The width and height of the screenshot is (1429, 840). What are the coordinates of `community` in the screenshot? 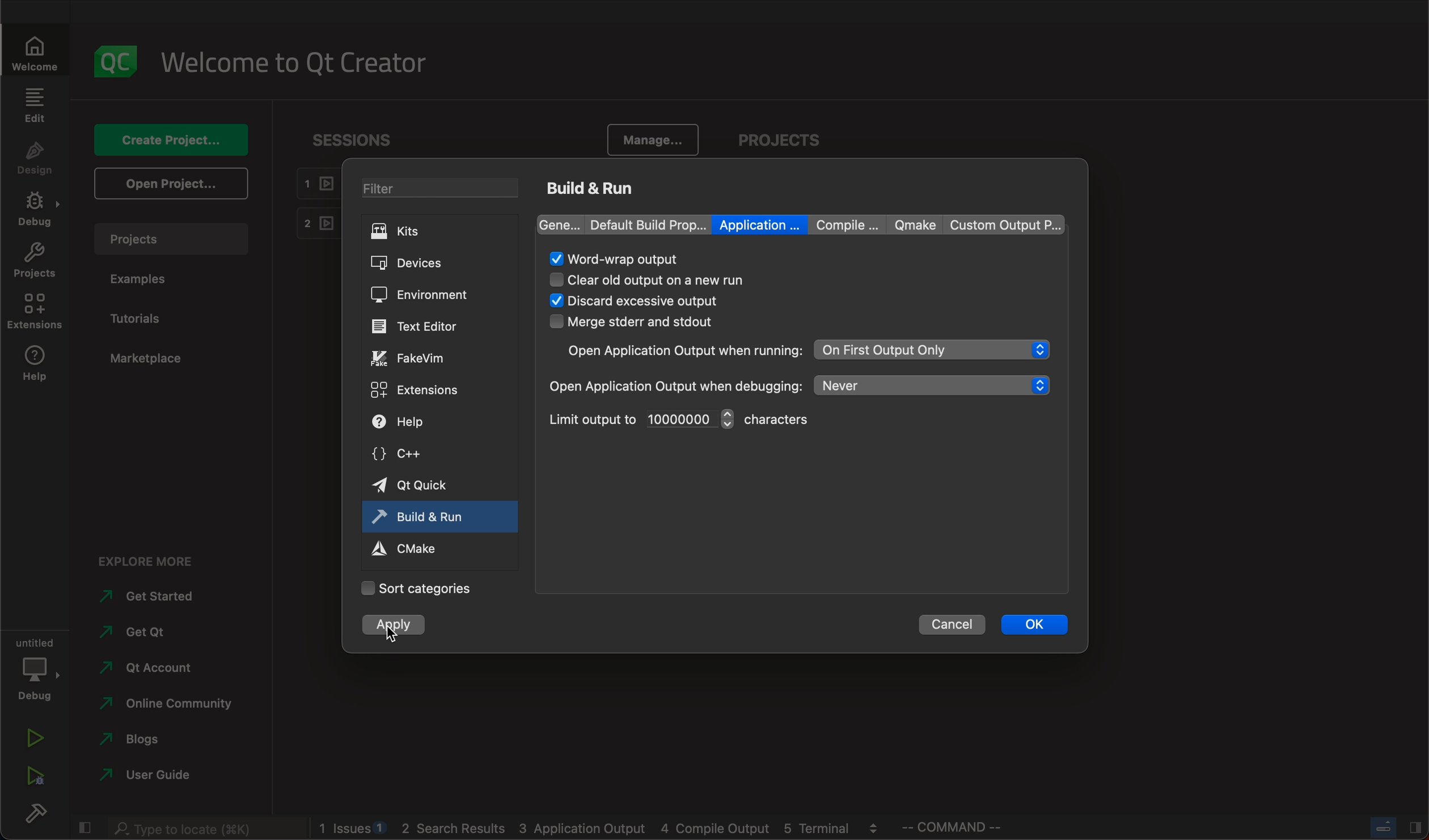 It's located at (162, 706).